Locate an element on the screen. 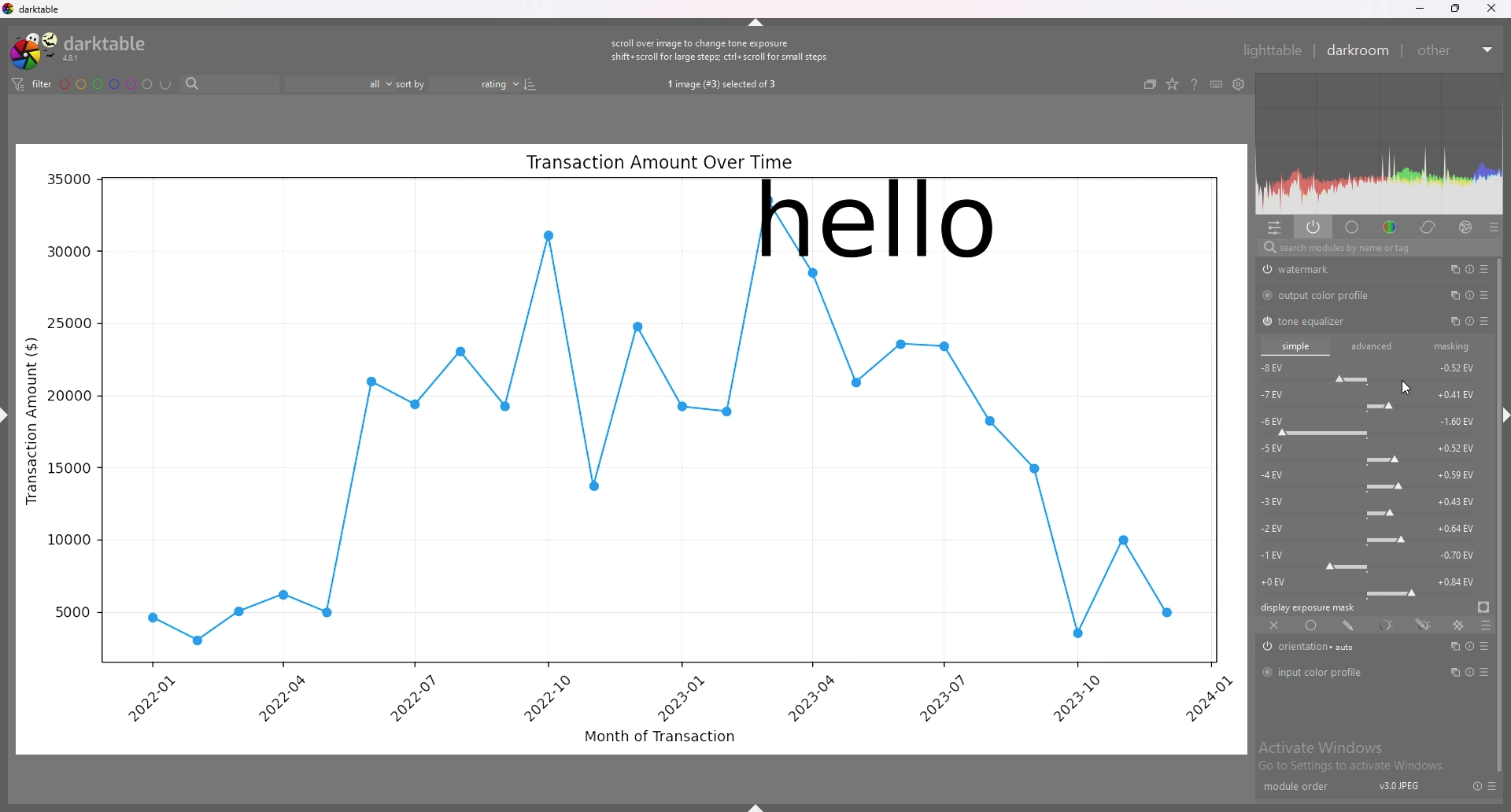 The height and width of the screenshot is (812, 1511). blending options is located at coordinates (1484, 625).